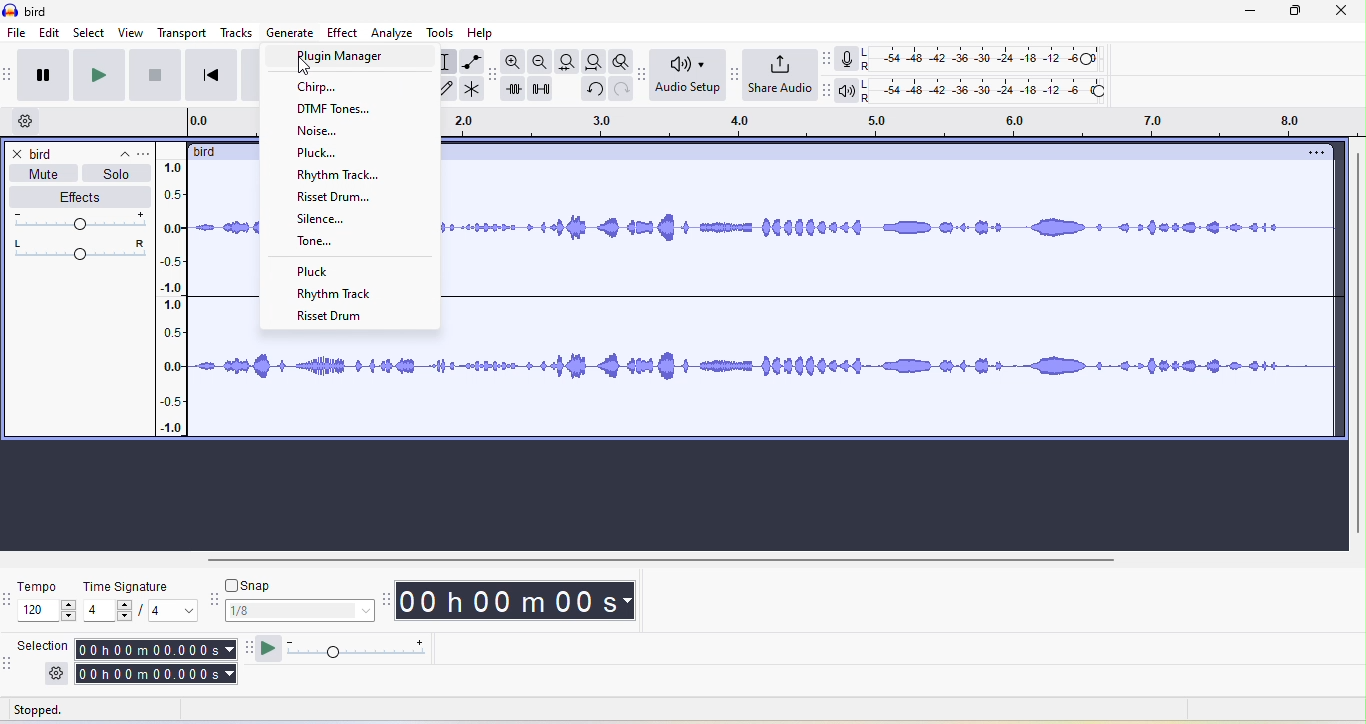  I want to click on tempo, so click(48, 603).